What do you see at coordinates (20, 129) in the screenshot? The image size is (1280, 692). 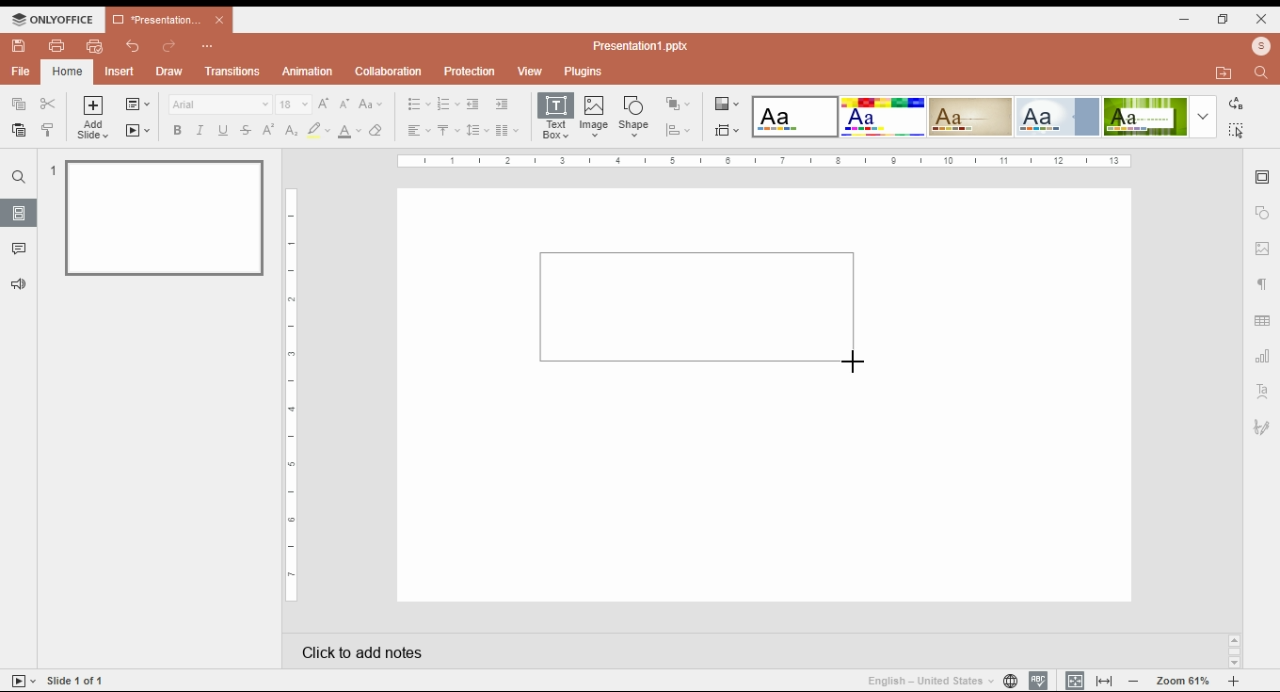 I see `paste` at bounding box center [20, 129].